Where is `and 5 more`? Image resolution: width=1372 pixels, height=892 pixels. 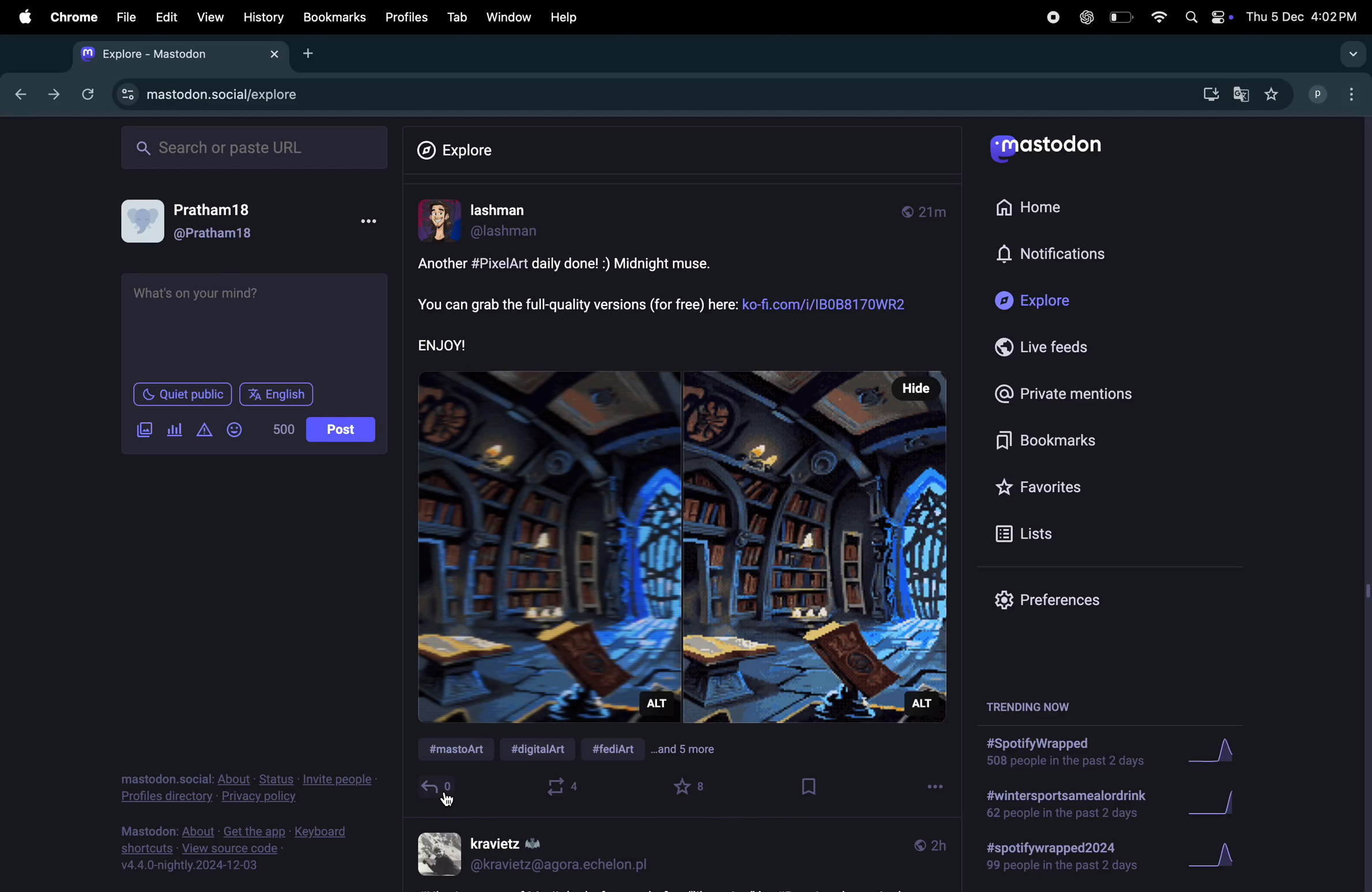 and 5 more is located at coordinates (695, 753).